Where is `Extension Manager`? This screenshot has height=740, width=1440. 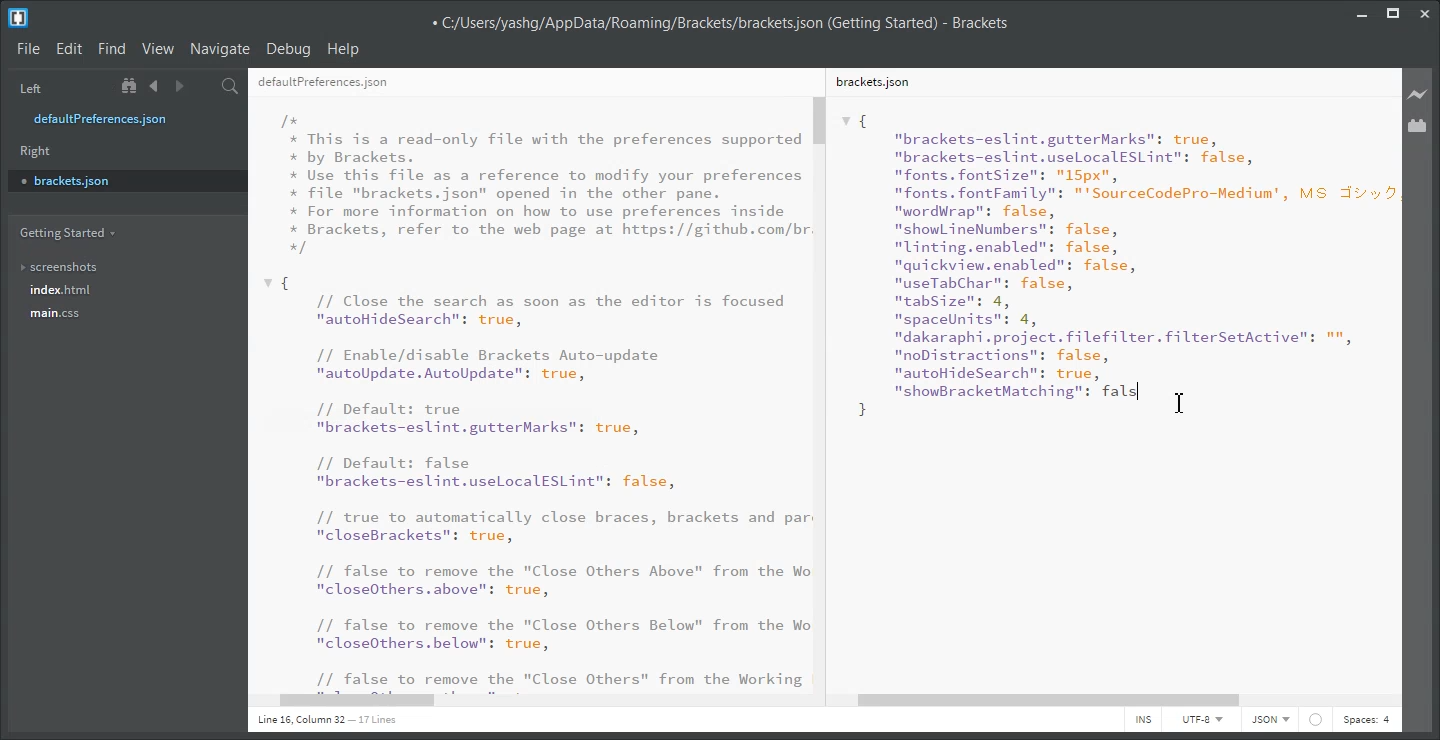 Extension Manager is located at coordinates (1418, 125).